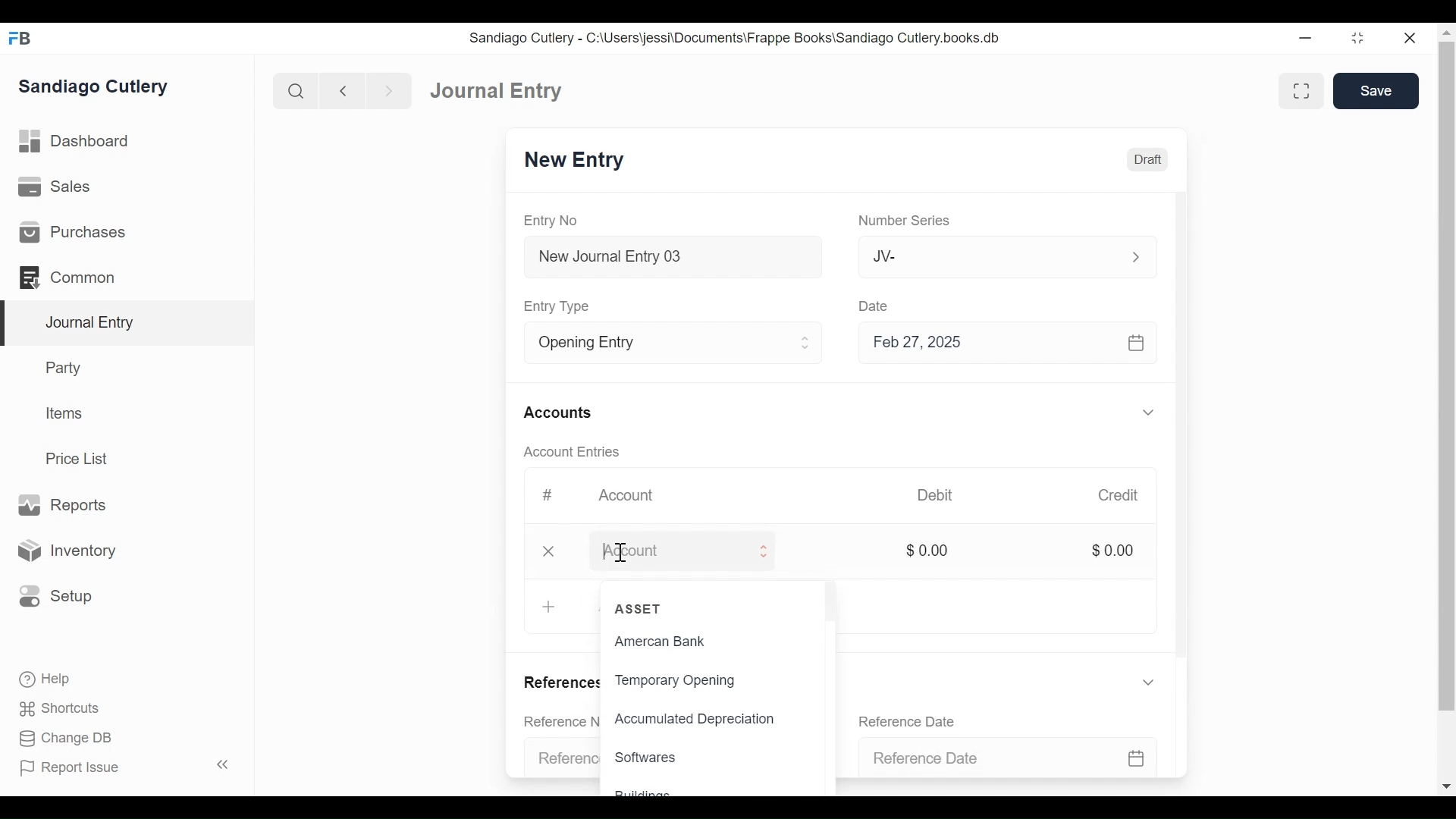  Describe the element at coordinates (679, 679) in the screenshot. I see `Temporary Opening` at that location.